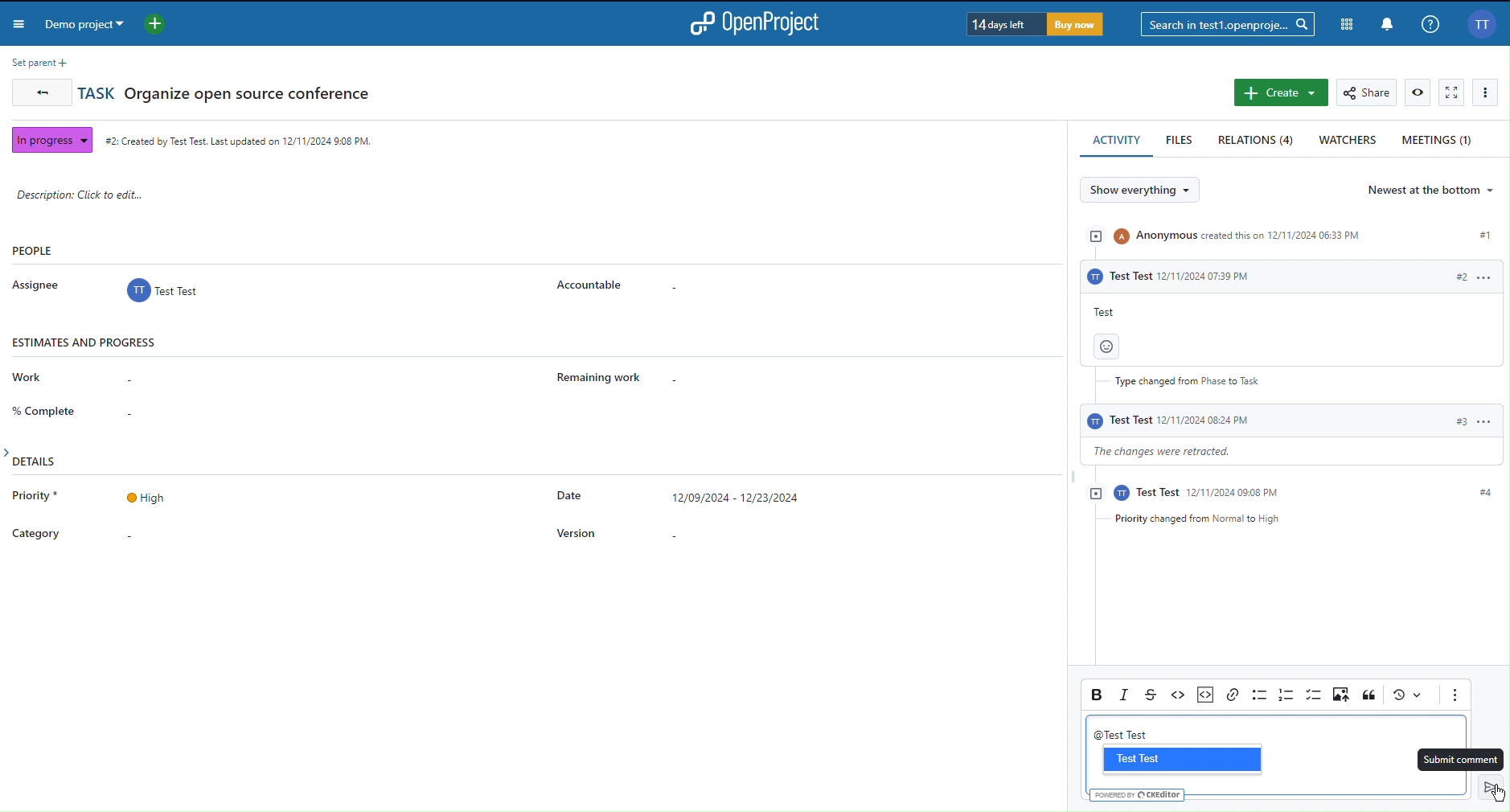  Describe the element at coordinates (1280, 93) in the screenshot. I see `Create` at that location.